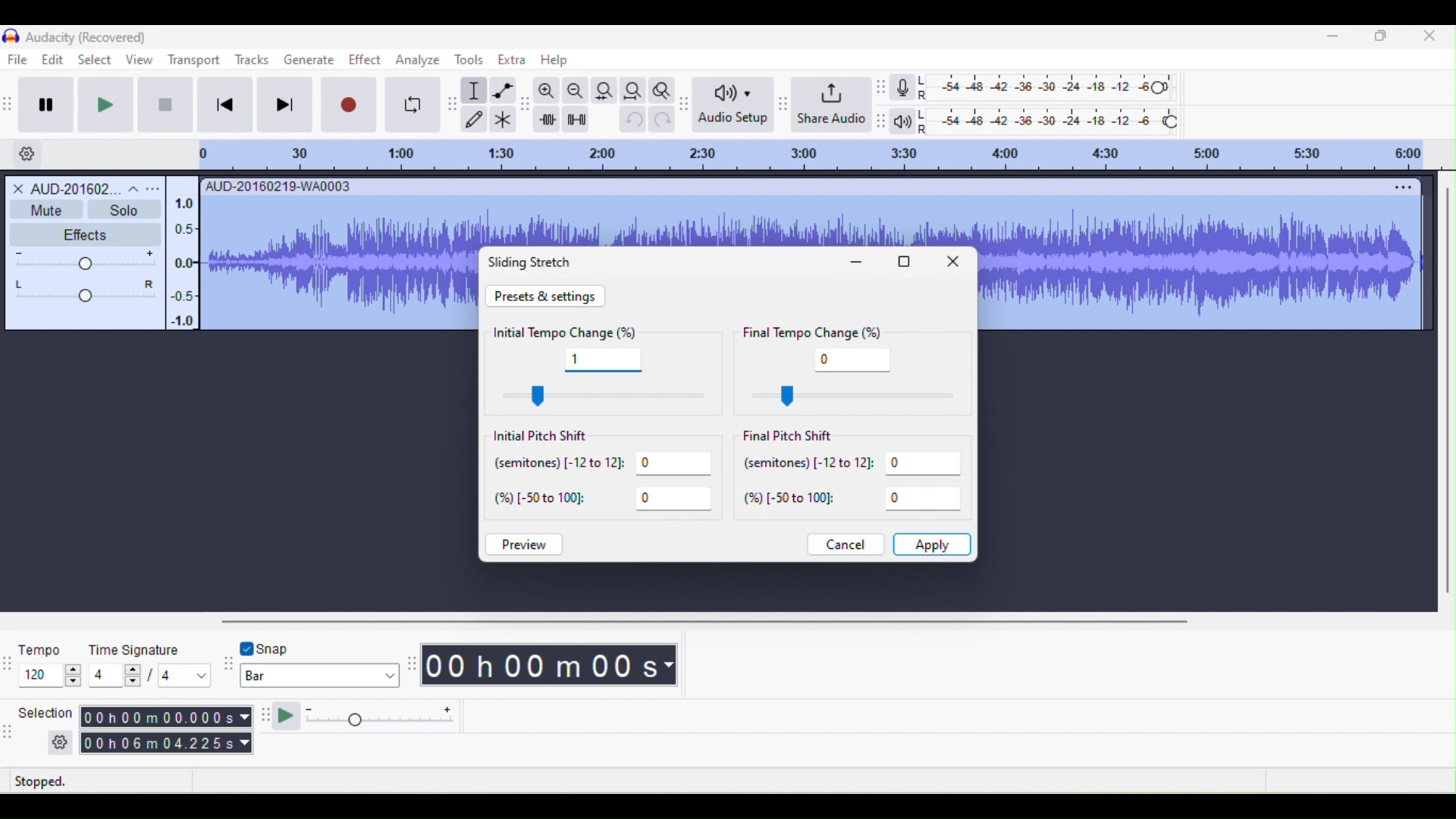 The width and height of the screenshot is (1456, 819). Describe the element at coordinates (27, 152) in the screenshot. I see `Settings` at that location.